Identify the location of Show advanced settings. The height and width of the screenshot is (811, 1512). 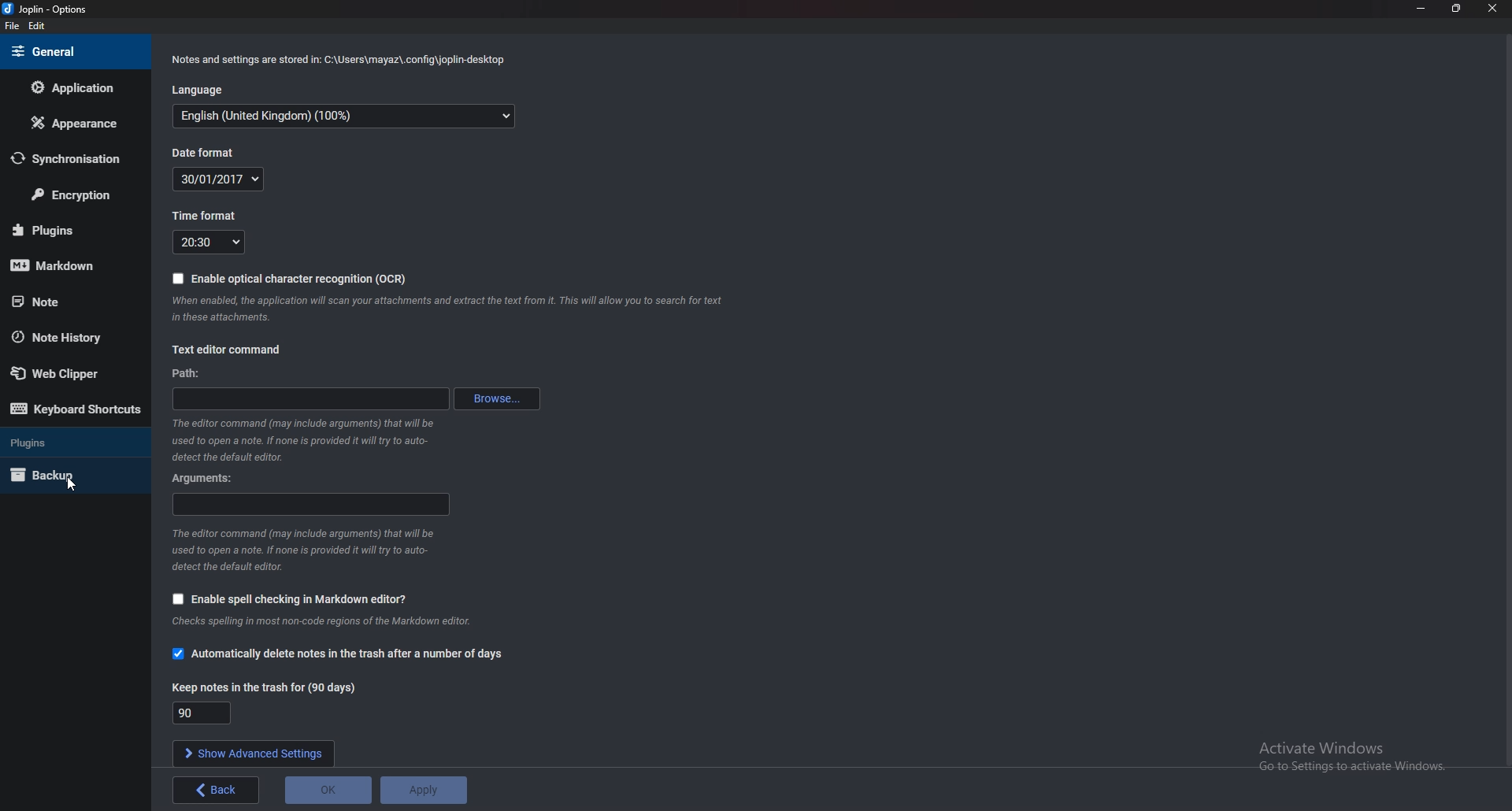
(255, 753).